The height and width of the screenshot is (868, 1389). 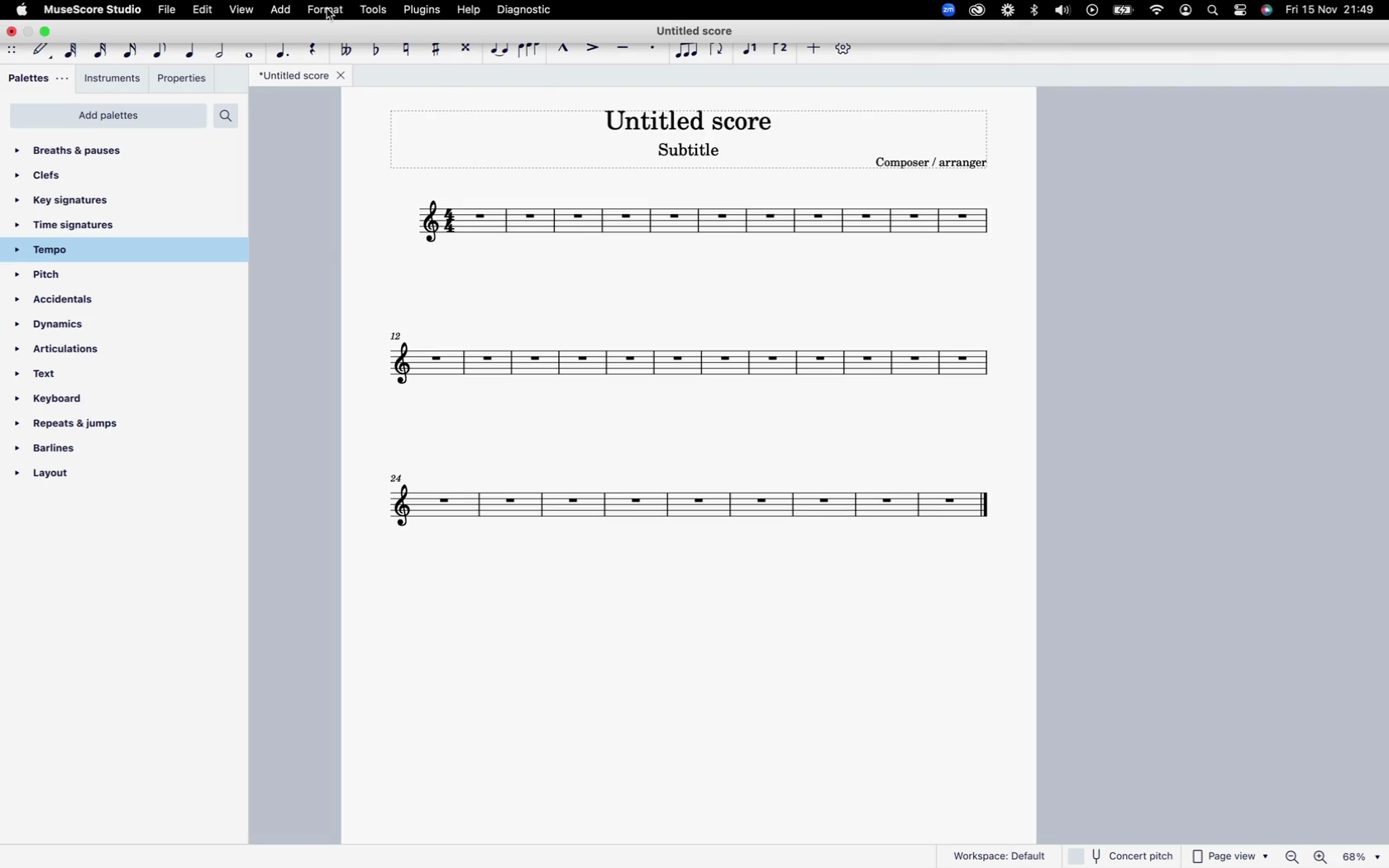 What do you see at coordinates (566, 48) in the screenshot?
I see `marcato` at bounding box center [566, 48].